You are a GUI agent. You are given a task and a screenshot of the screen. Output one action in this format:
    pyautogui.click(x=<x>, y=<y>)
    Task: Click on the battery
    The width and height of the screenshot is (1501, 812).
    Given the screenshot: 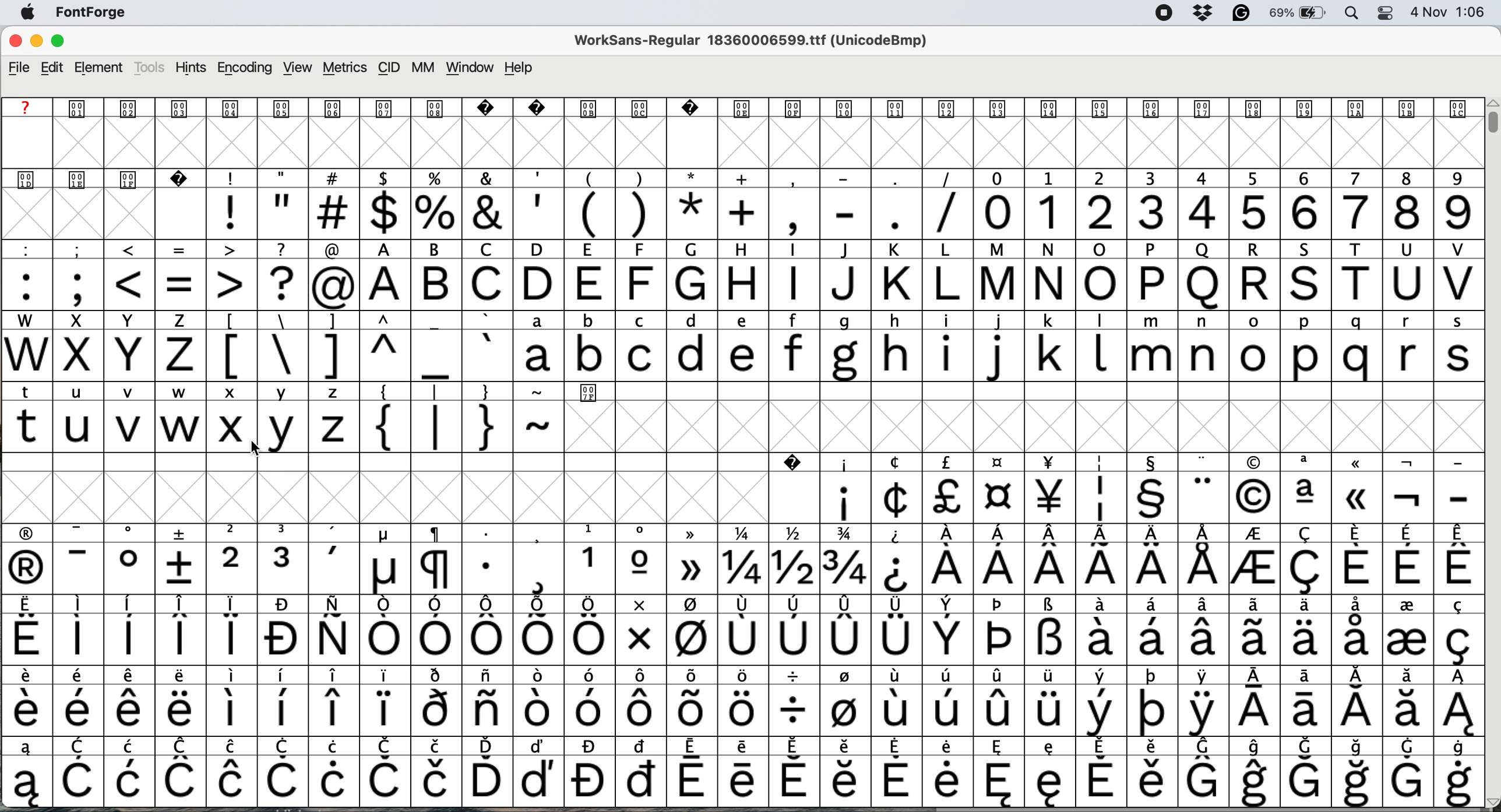 What is the action you would take?
    pyautogui.click(x=1298, y=13)
    